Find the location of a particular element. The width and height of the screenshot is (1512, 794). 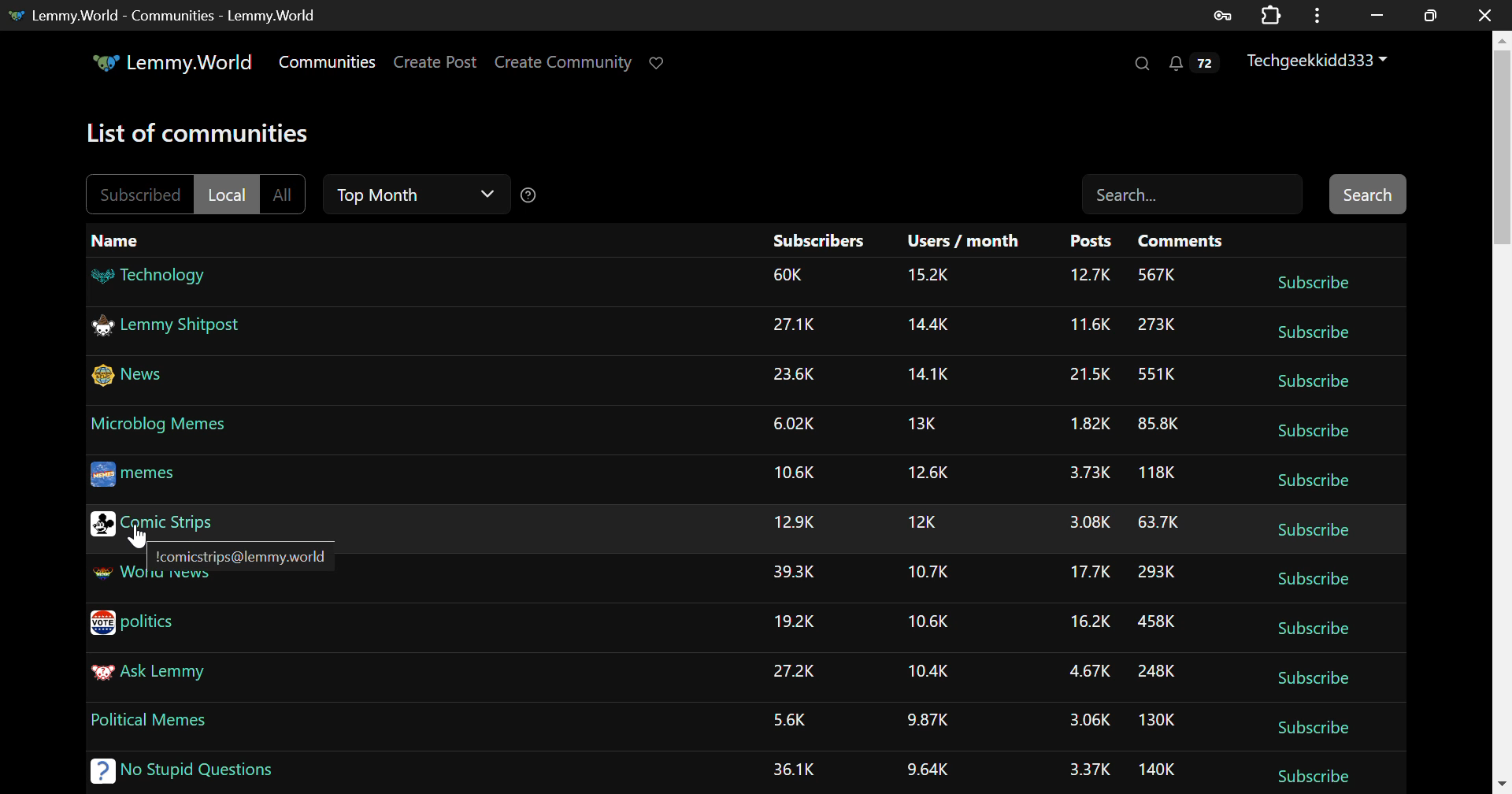

Amount is located at coordinates (1157, 325).